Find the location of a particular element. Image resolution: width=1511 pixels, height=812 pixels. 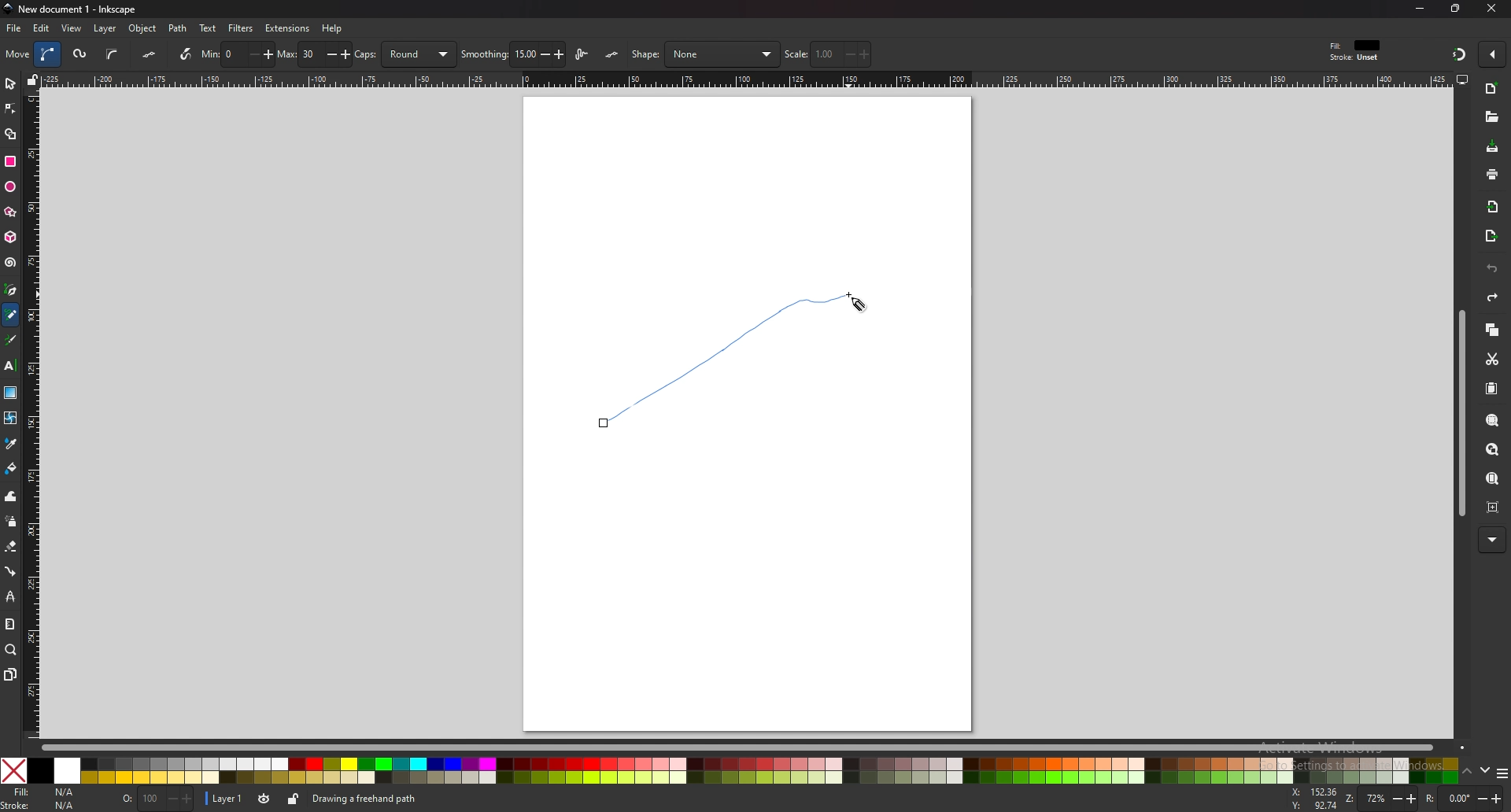

zoom selection is located at coordinates (1493, 420).